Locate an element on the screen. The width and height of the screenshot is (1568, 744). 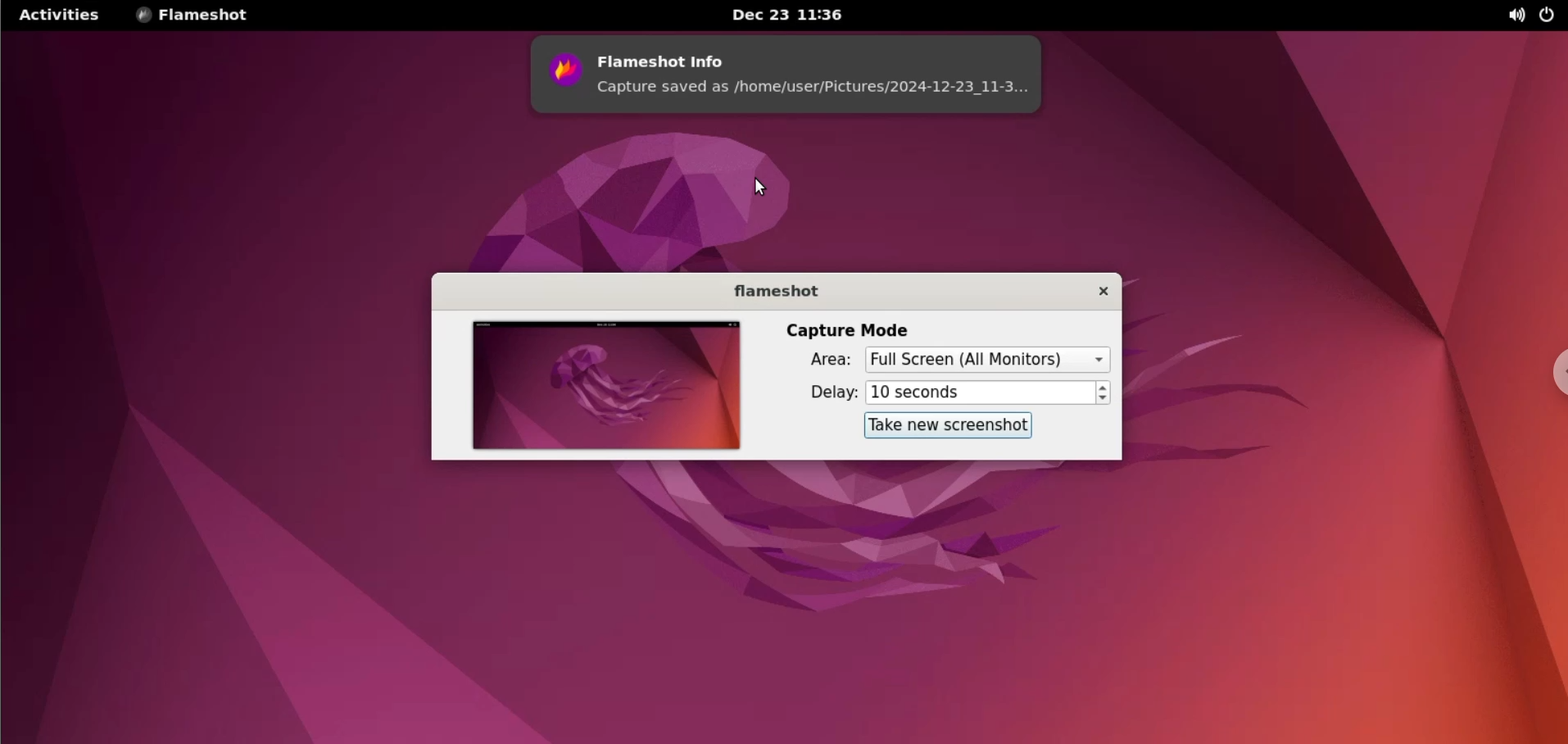
increment or decrement delay is located at coordinates (1104, 394).